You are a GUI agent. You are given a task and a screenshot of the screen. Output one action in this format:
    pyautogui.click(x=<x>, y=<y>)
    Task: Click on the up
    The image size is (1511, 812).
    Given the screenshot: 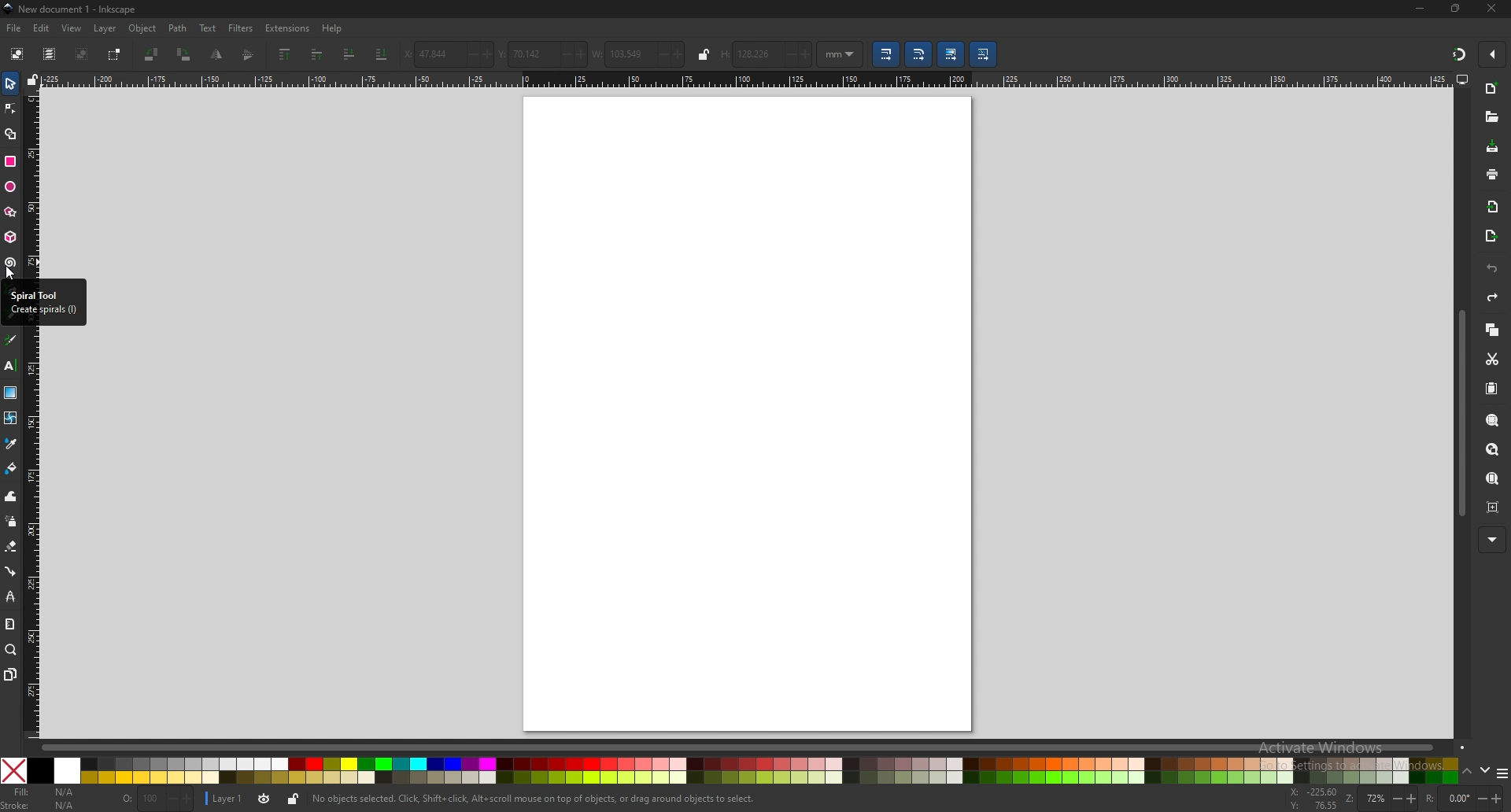 What is the action you would take?
    pyautogui.click(x=1466, y=770)
    